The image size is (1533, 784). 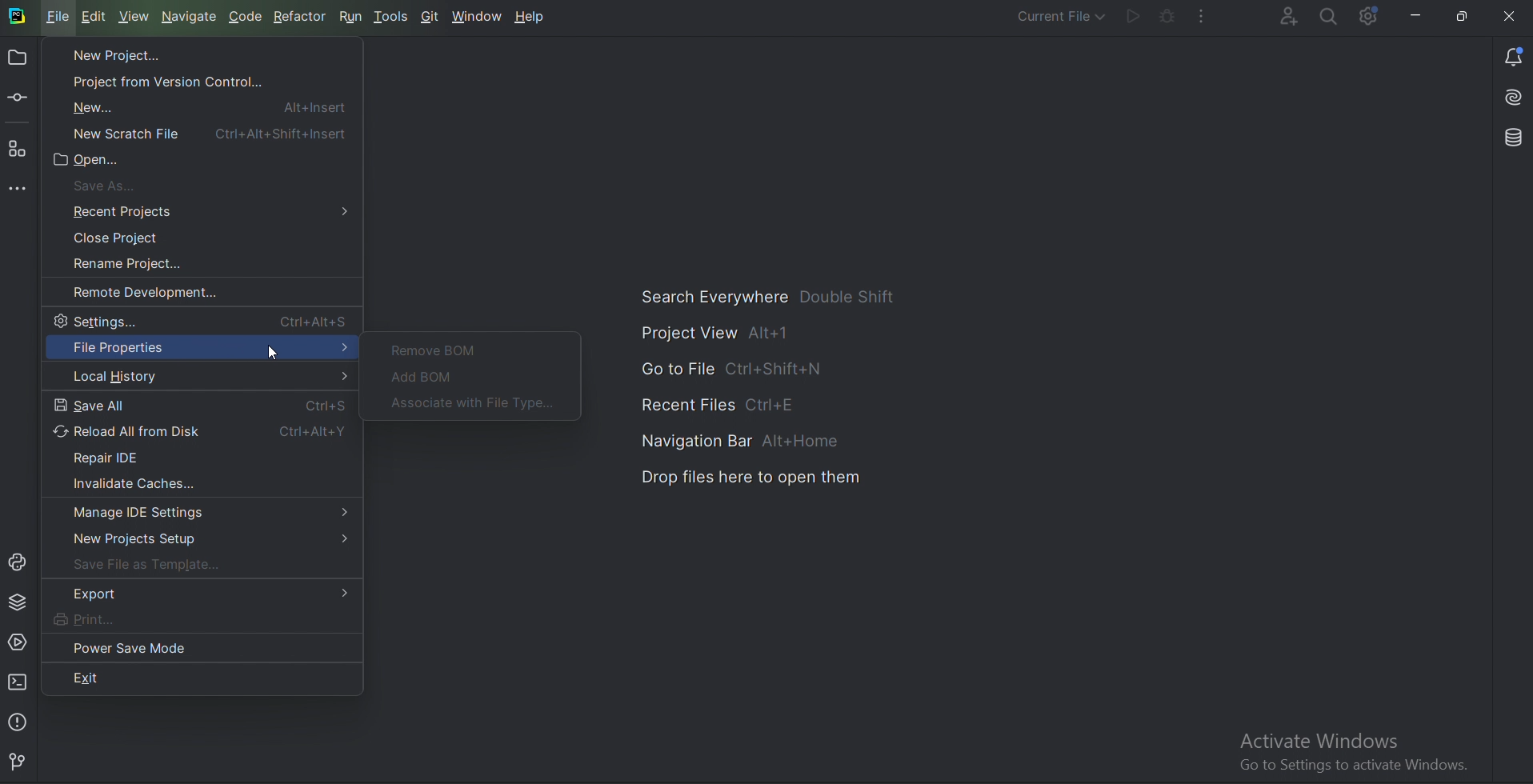 What do you see at coordinates (476, 403) in the screenshot?
I see `Associate with file type` at bounding box center [476, 403].